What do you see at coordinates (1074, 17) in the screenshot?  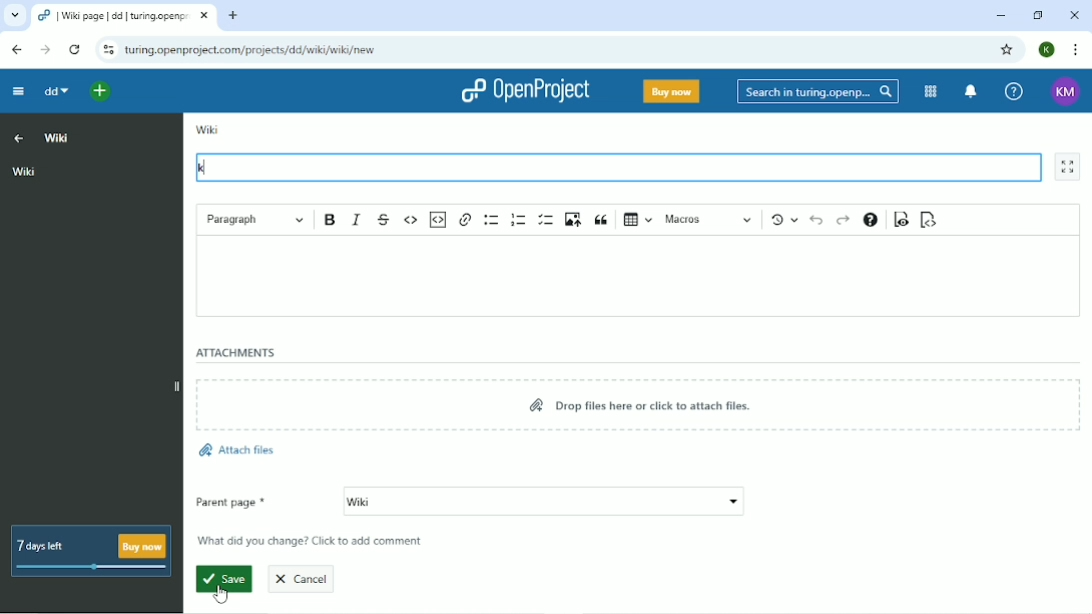 I see `Close` at bounding box center [1074, 17].